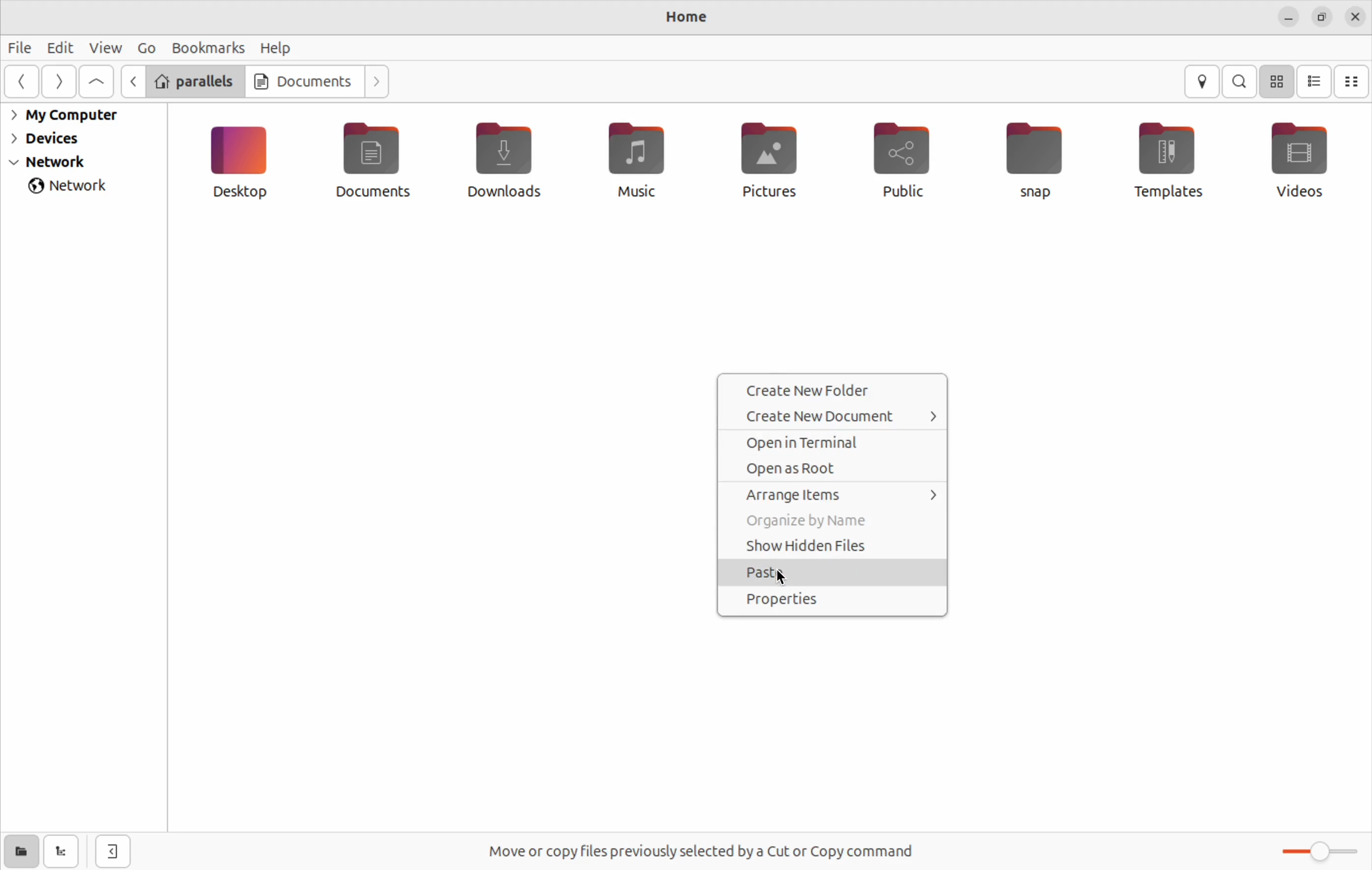  What do you see at coordinates (1279, 81) in the screenshot?
I see `icon view` at bounding box center [1279, 81].